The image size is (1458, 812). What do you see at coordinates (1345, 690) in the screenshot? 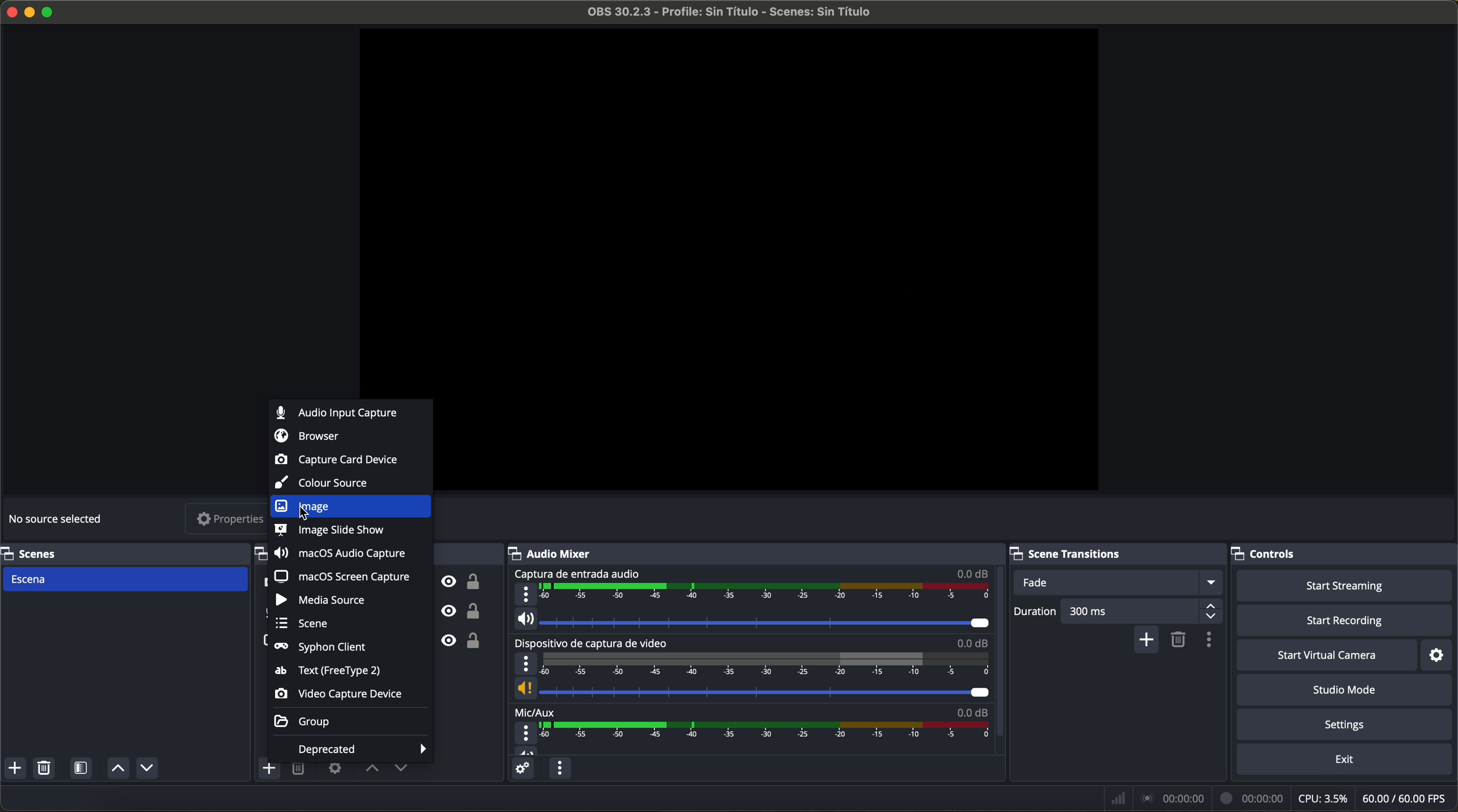
I see `studio mode` at bounding box center [1345, 690].